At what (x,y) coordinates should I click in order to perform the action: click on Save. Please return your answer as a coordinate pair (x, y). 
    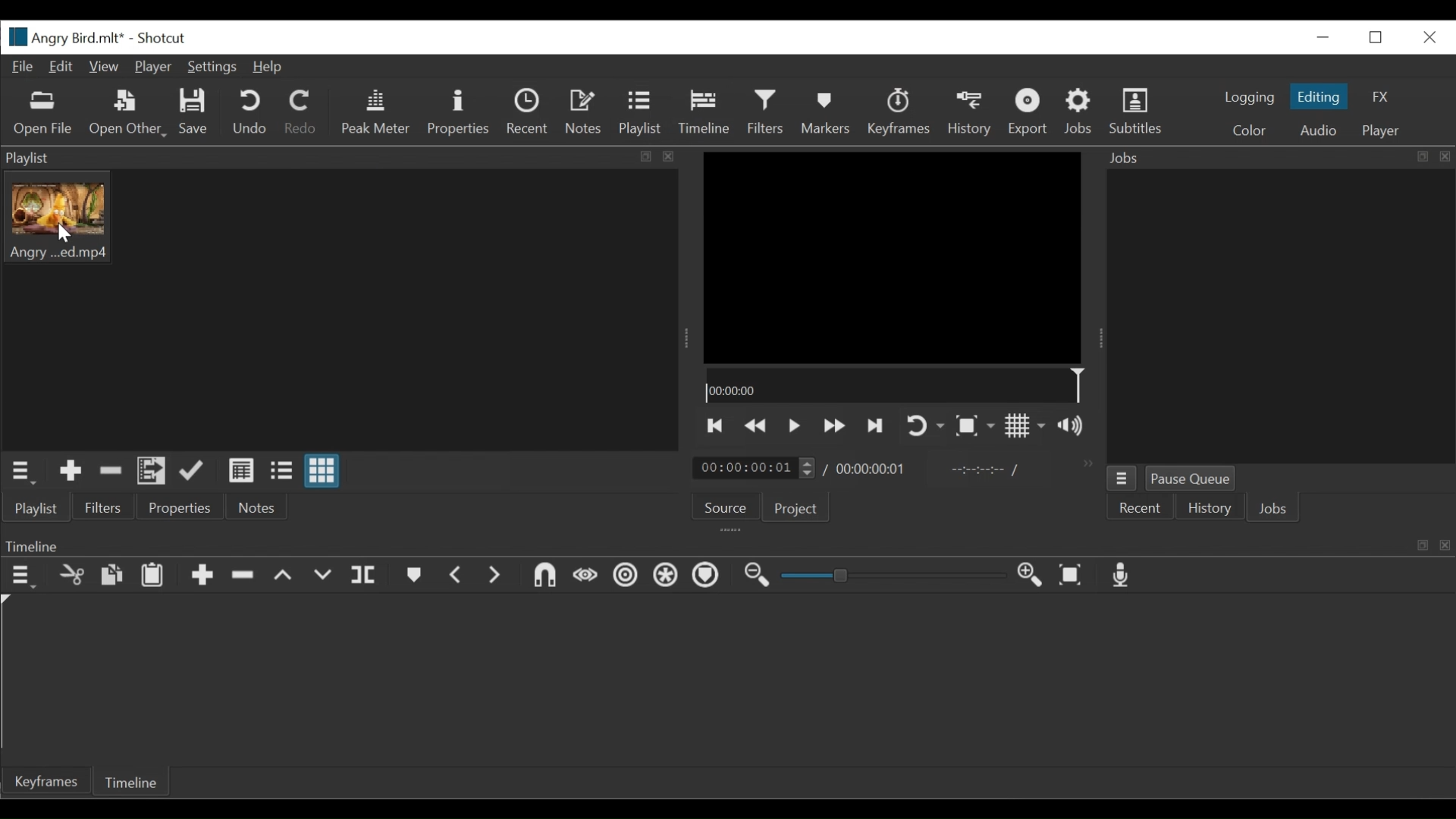
    Looking at the image, I should click on (194, 111).